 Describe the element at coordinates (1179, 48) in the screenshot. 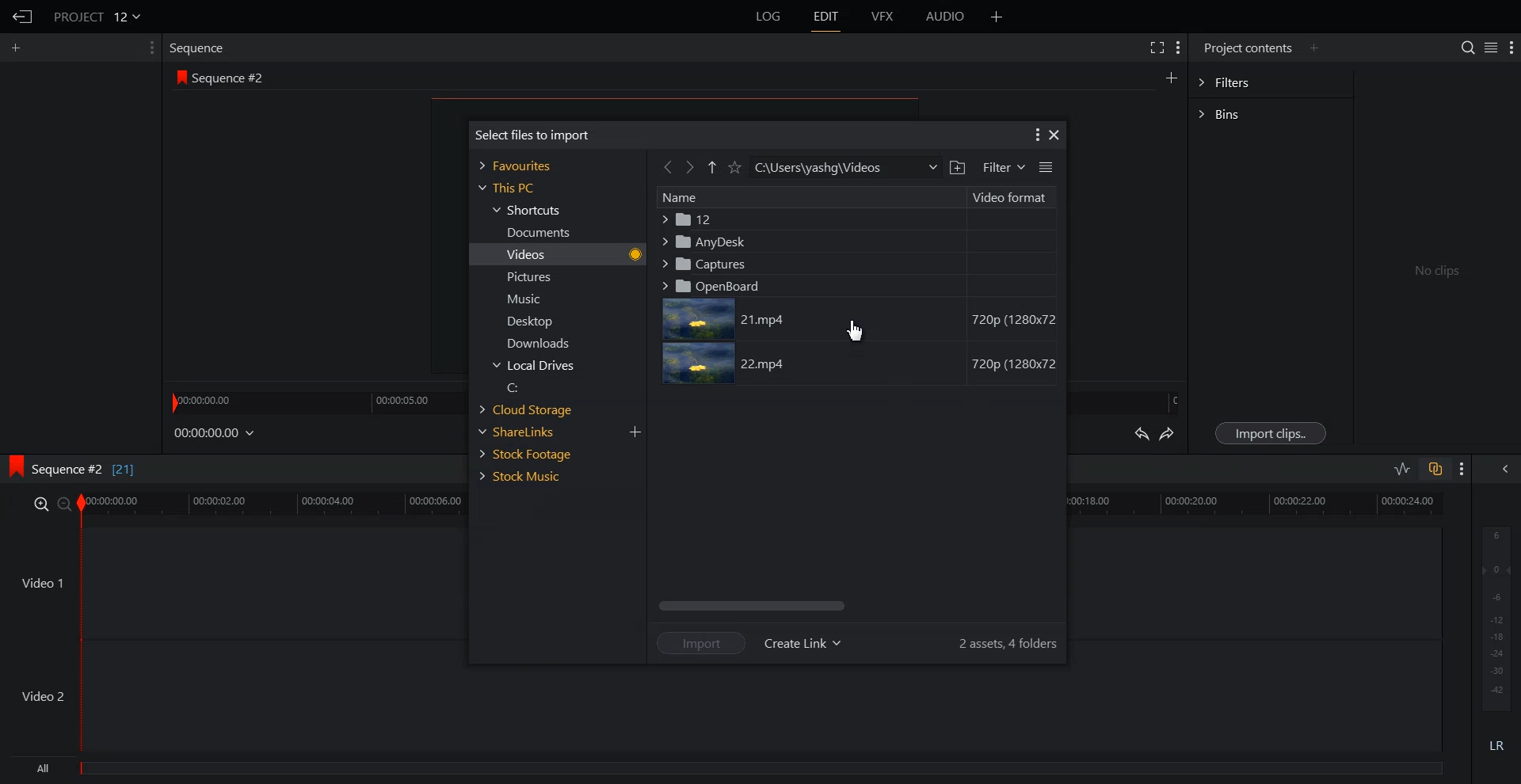

I see `Show Setting Menu` at that location.